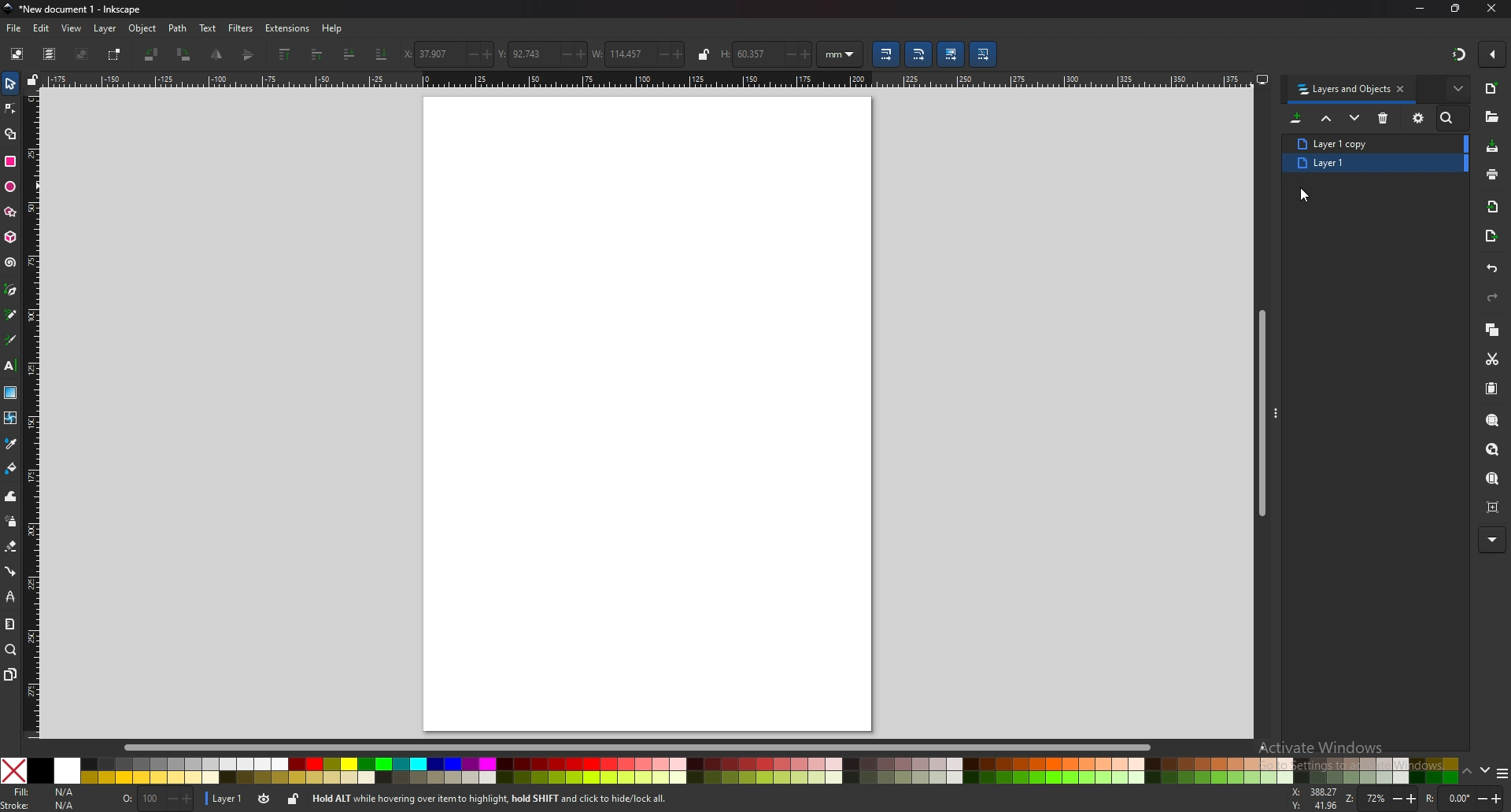 Image resolution: width=1511 pixels, height=812 pixels. Describe the element at coordinates (317, 54) in the screenshot. I see `raise one step` at that location.